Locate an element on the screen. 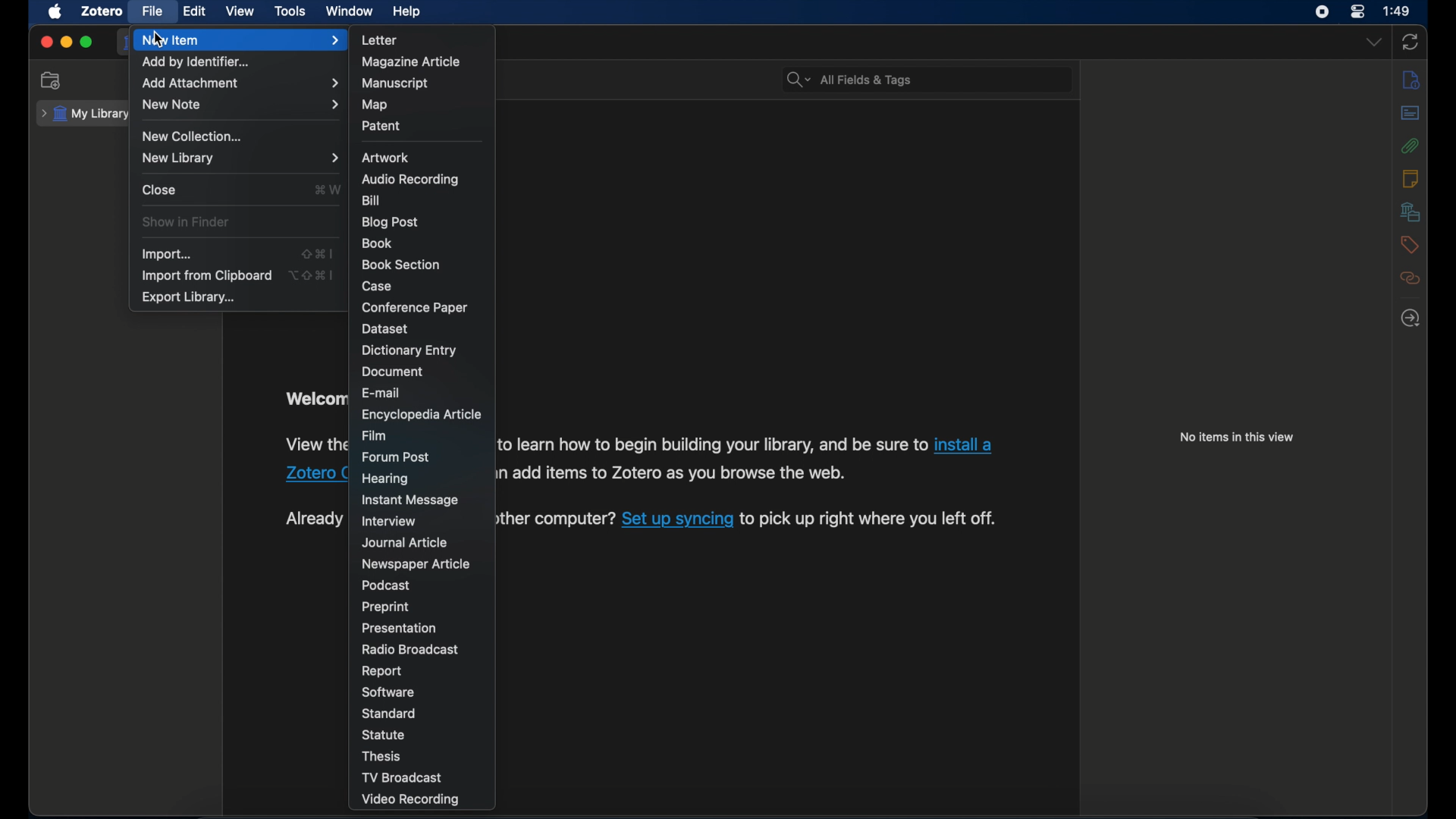  encyclopedia article is located at coordinates (420, 415).